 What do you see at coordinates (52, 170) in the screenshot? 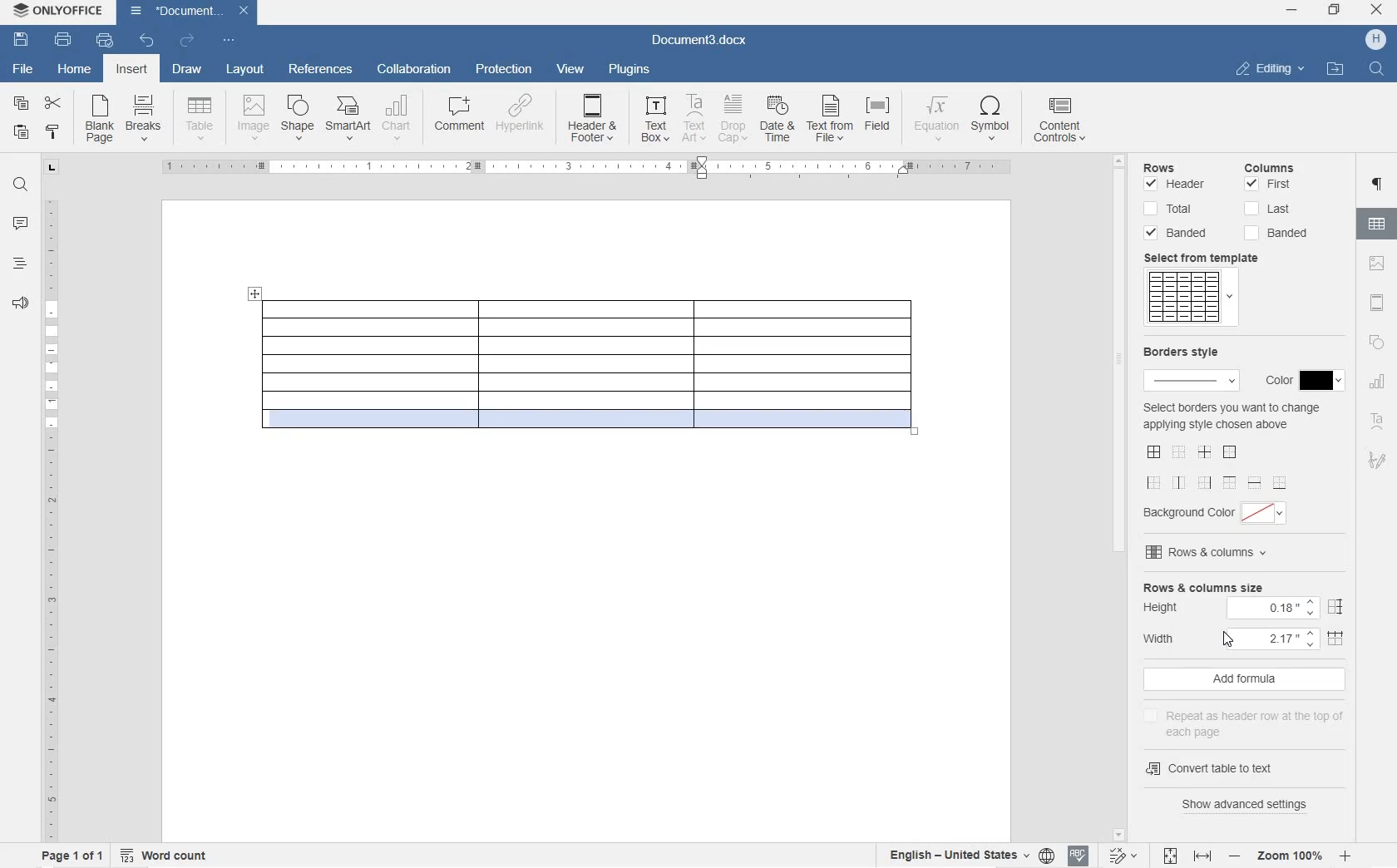
I see `TAB` at bounding box center [52, 170].